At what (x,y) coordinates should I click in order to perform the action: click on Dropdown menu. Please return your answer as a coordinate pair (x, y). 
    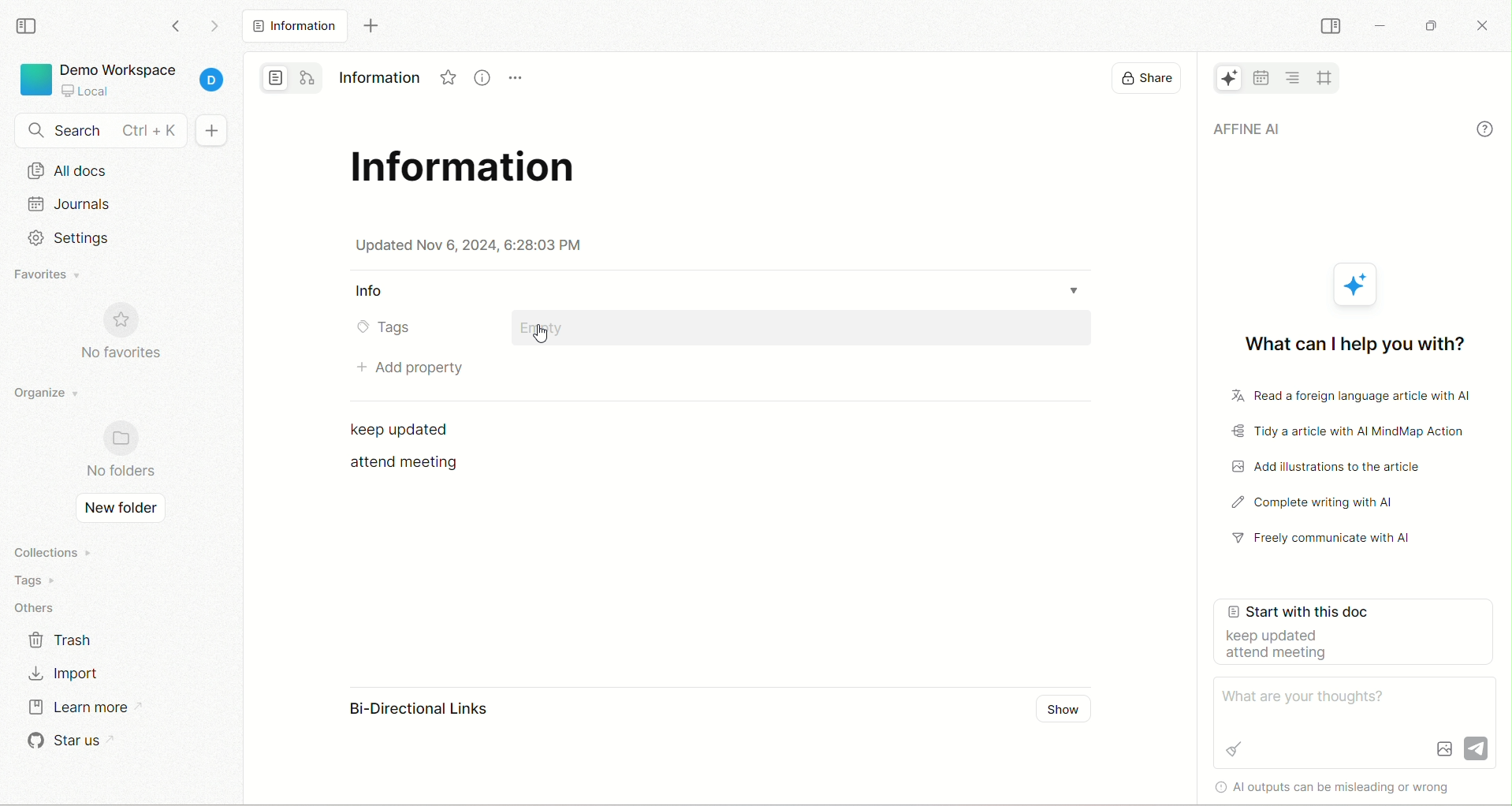
    Looking at the image, I should click on (1074, 291).